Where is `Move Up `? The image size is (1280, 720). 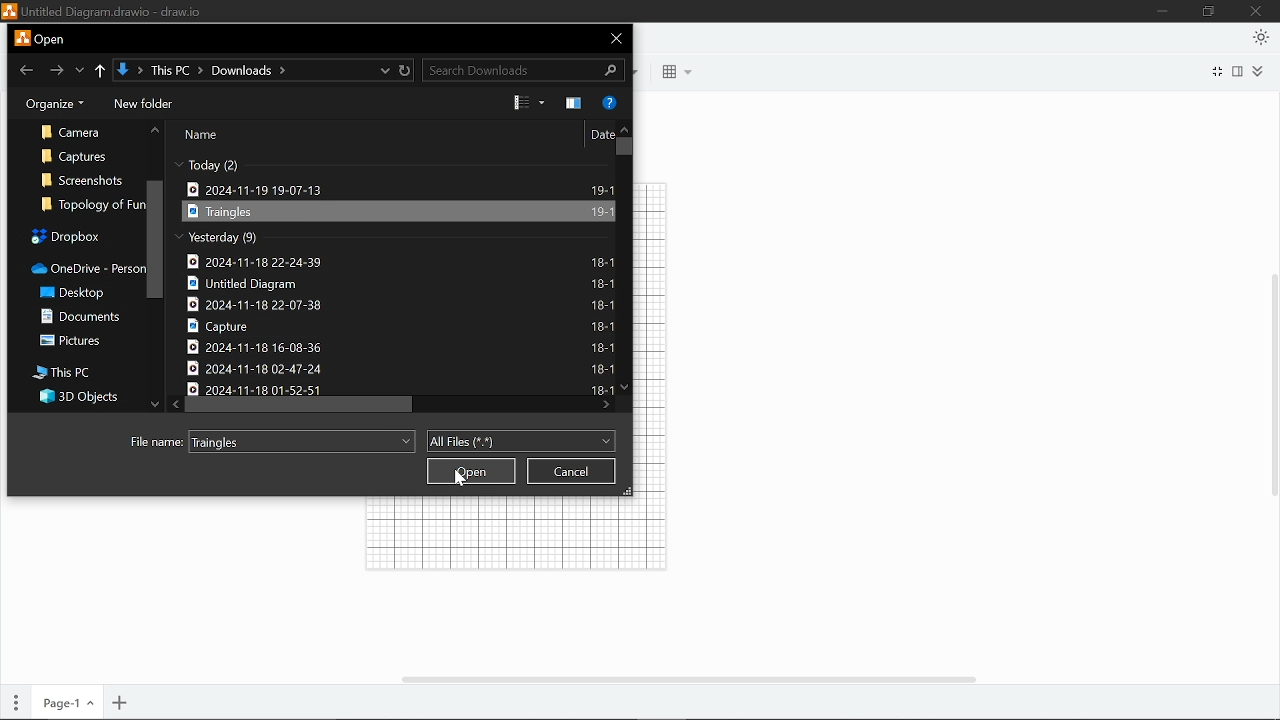 Move Up  is located at coordinates (154, 134).